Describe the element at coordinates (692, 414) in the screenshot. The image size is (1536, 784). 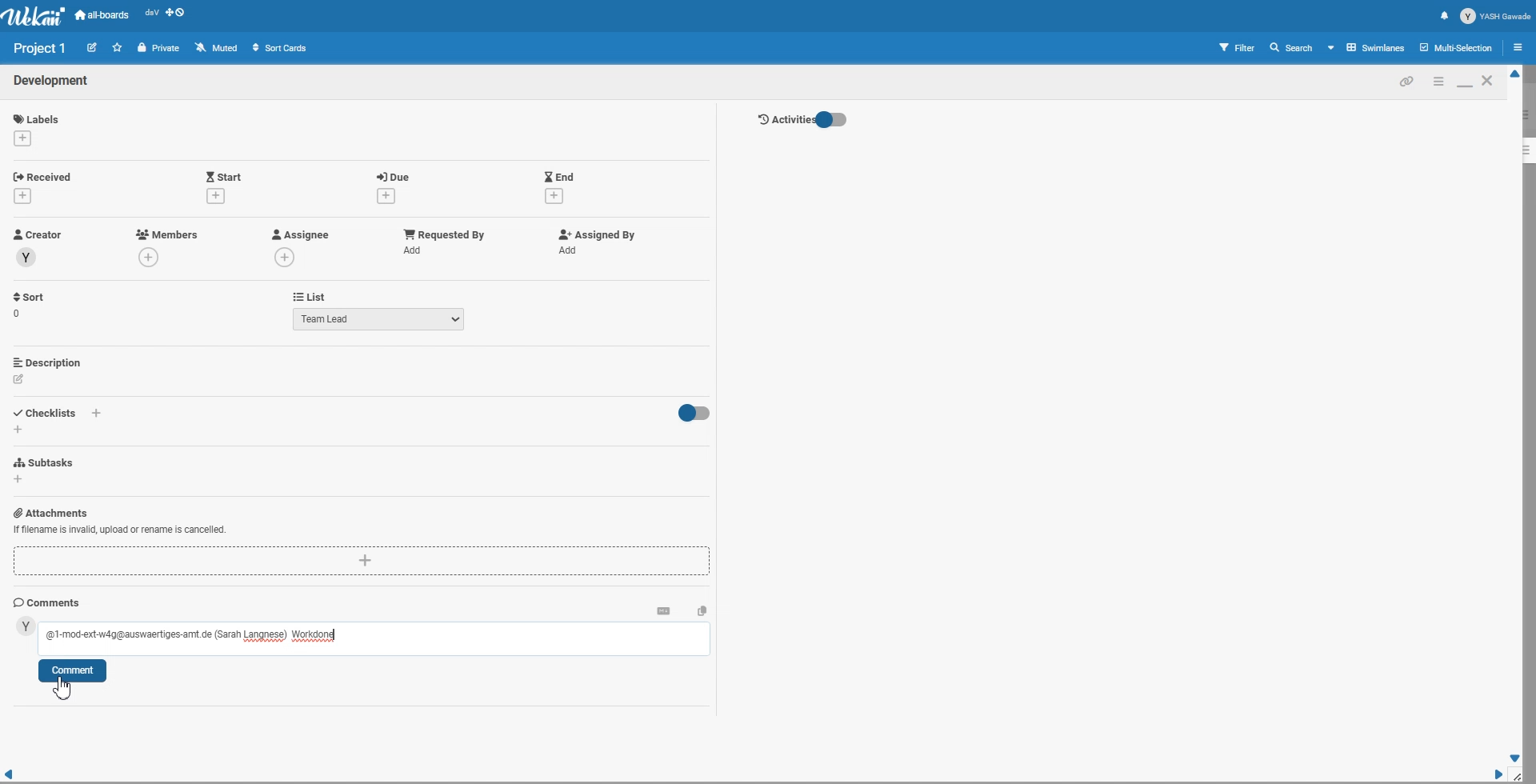
I see `Toggle` at that location.